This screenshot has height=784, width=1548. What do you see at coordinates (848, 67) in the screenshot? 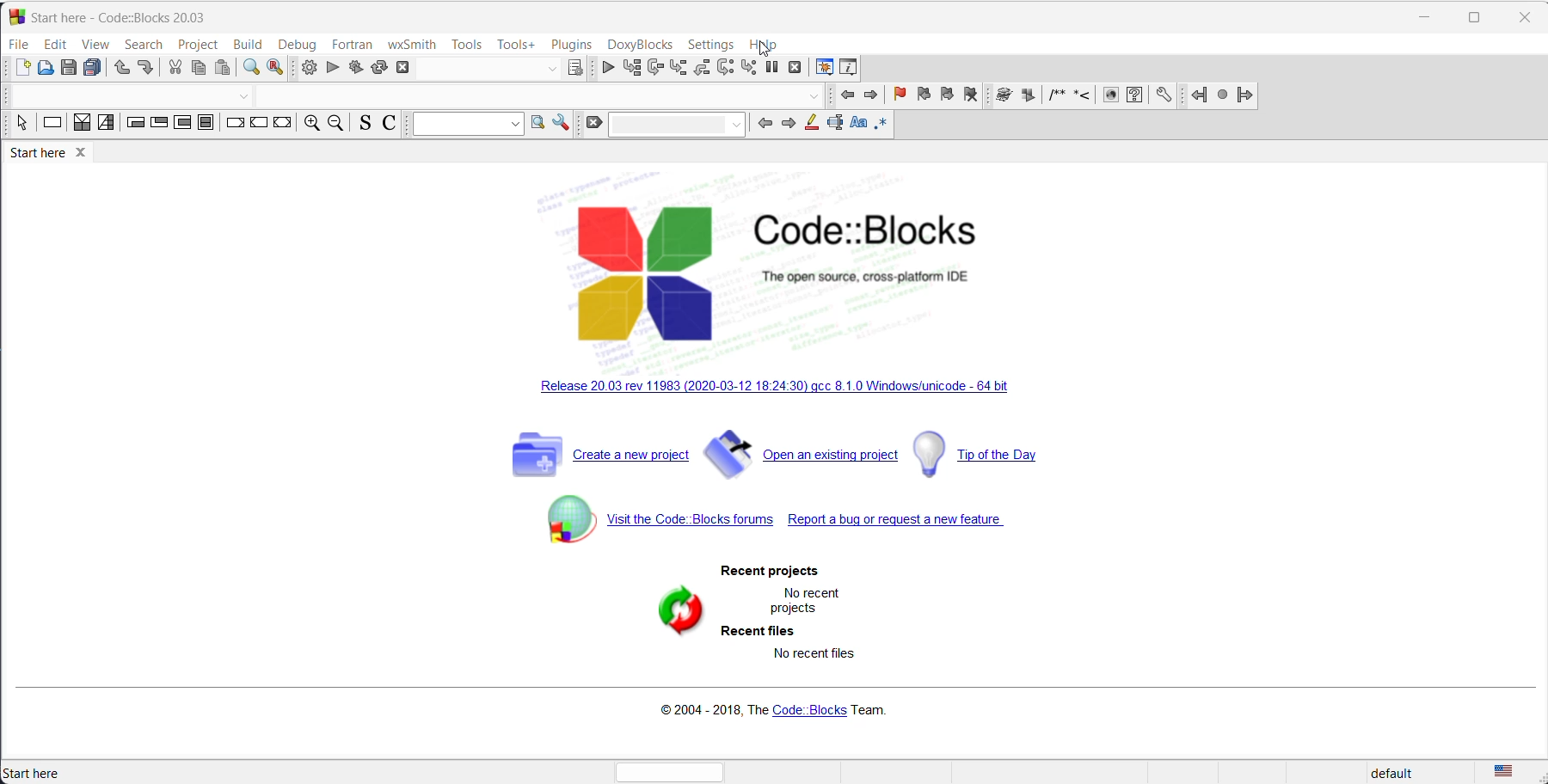
I see `various info` at bounding box center [848, 67].